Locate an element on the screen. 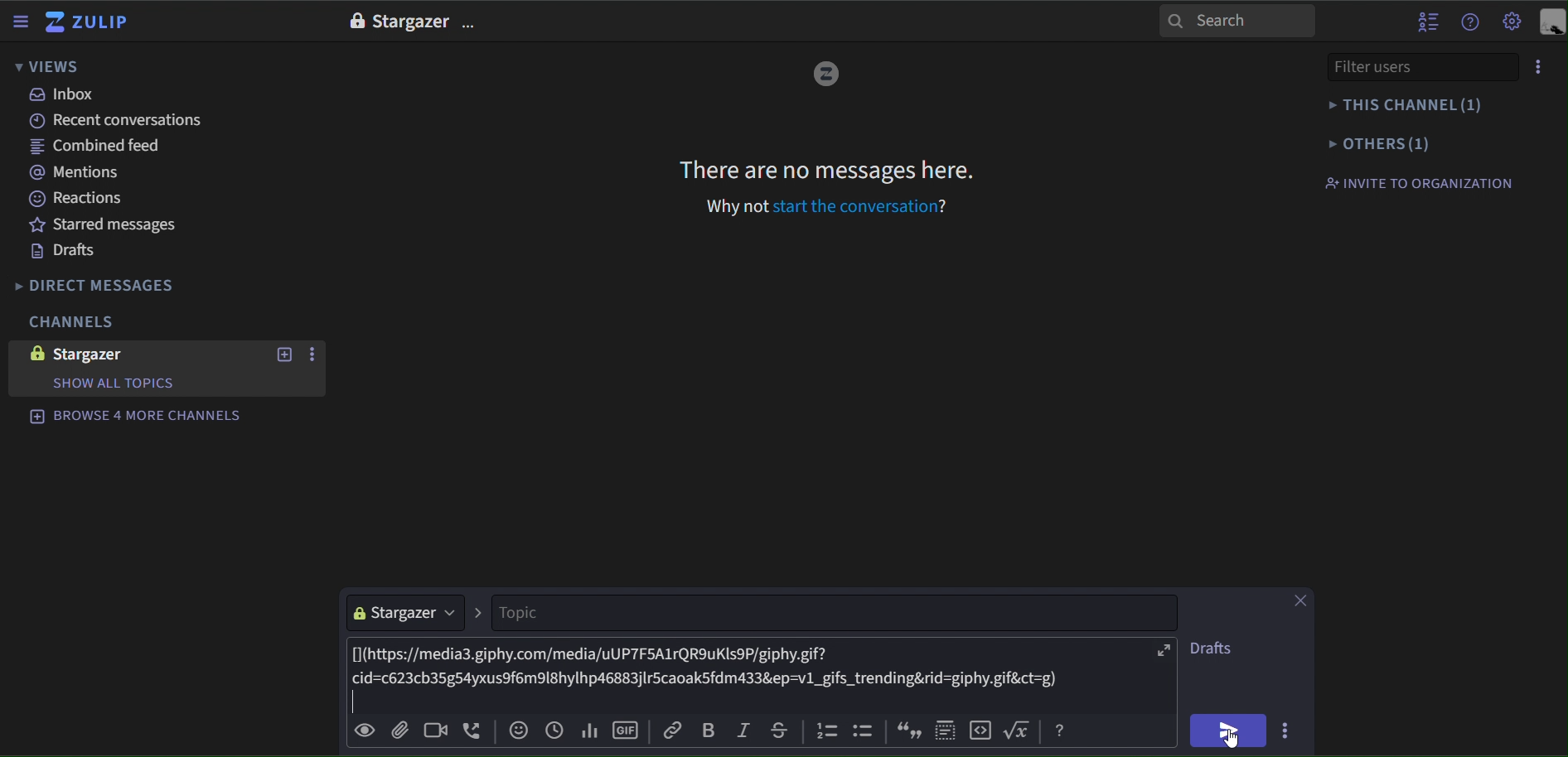 Image resolution: width=1568 pixels, height=757 pixels. icon is located at coordinates (907, 730).